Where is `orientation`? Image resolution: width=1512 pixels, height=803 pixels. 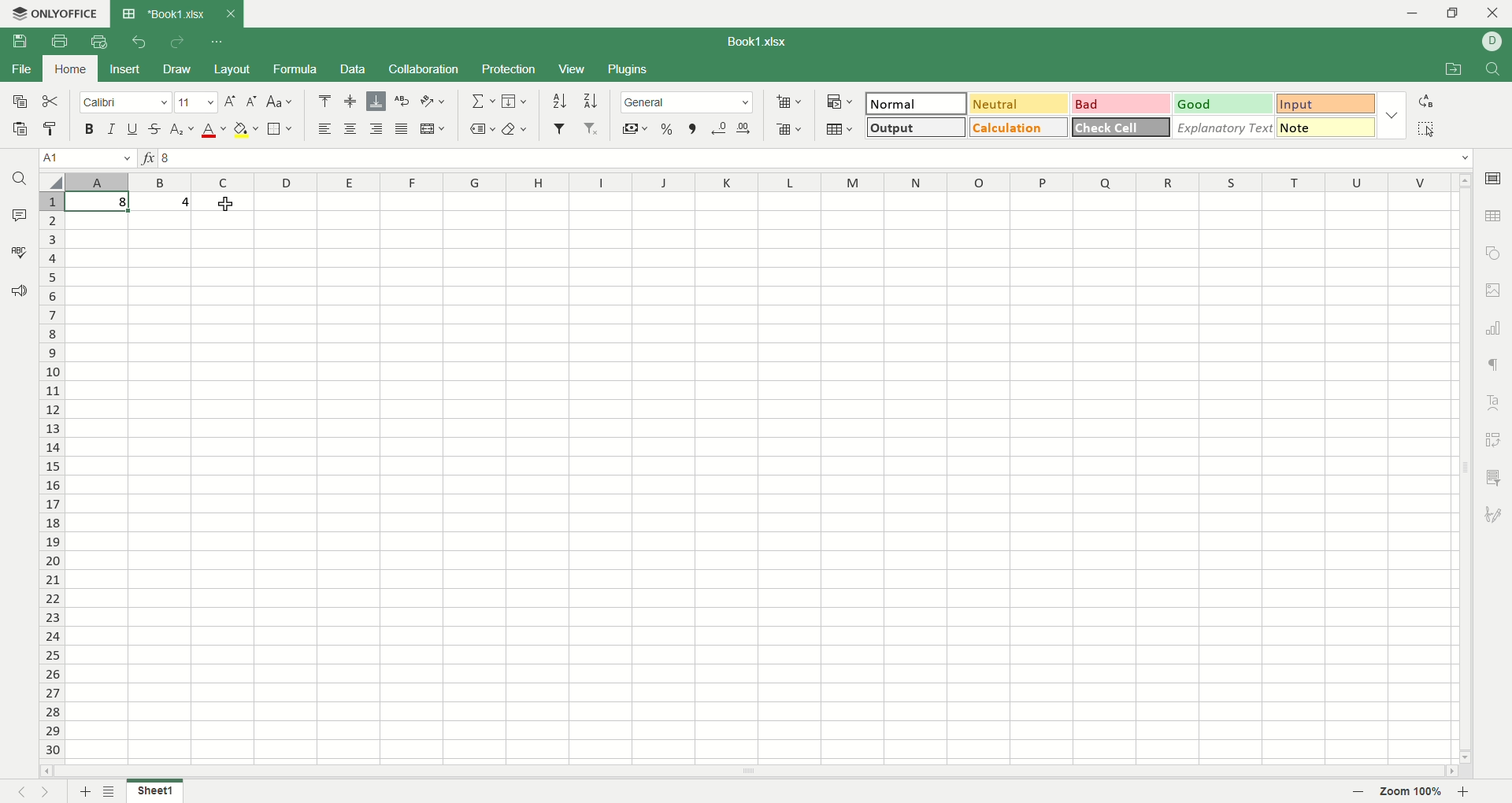
orientation is located at coordinates (435, 102).